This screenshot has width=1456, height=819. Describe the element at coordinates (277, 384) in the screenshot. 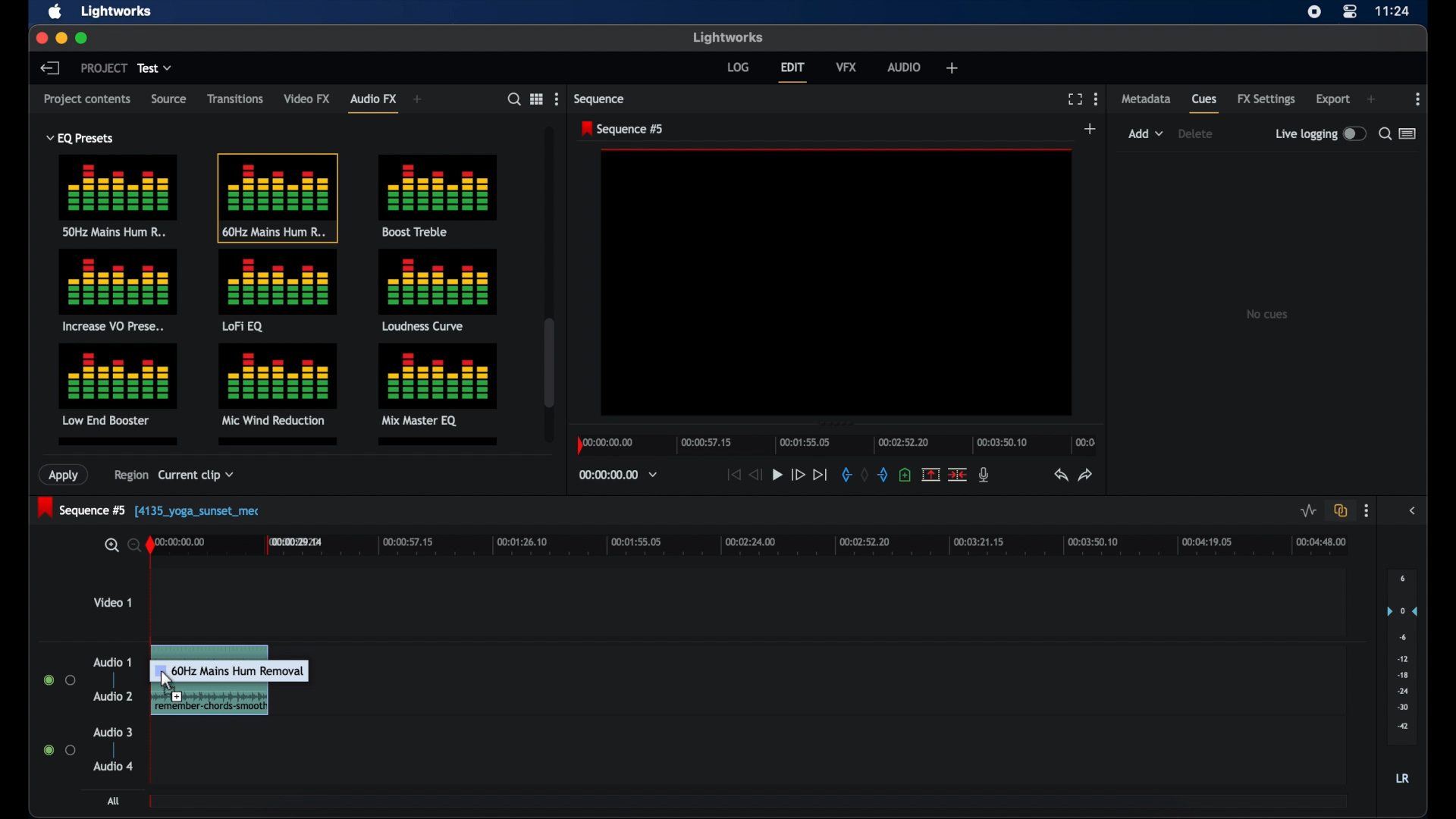

I see `mic wind reduction` at that location.